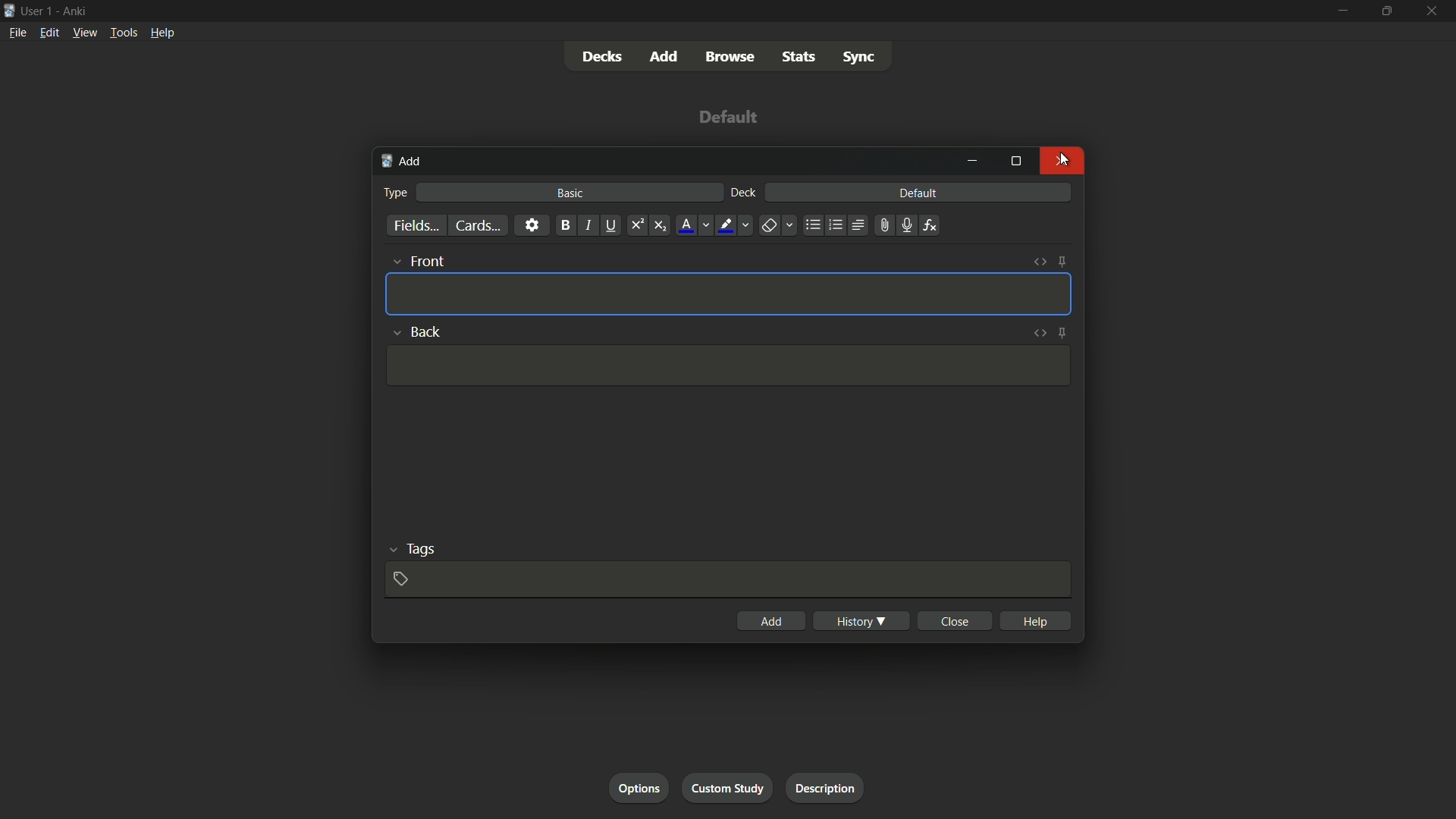 This screenshot has height=819, width=1456. Describe the element at coordinates (1036, 620) in the screenshot. I see `help` at that location.